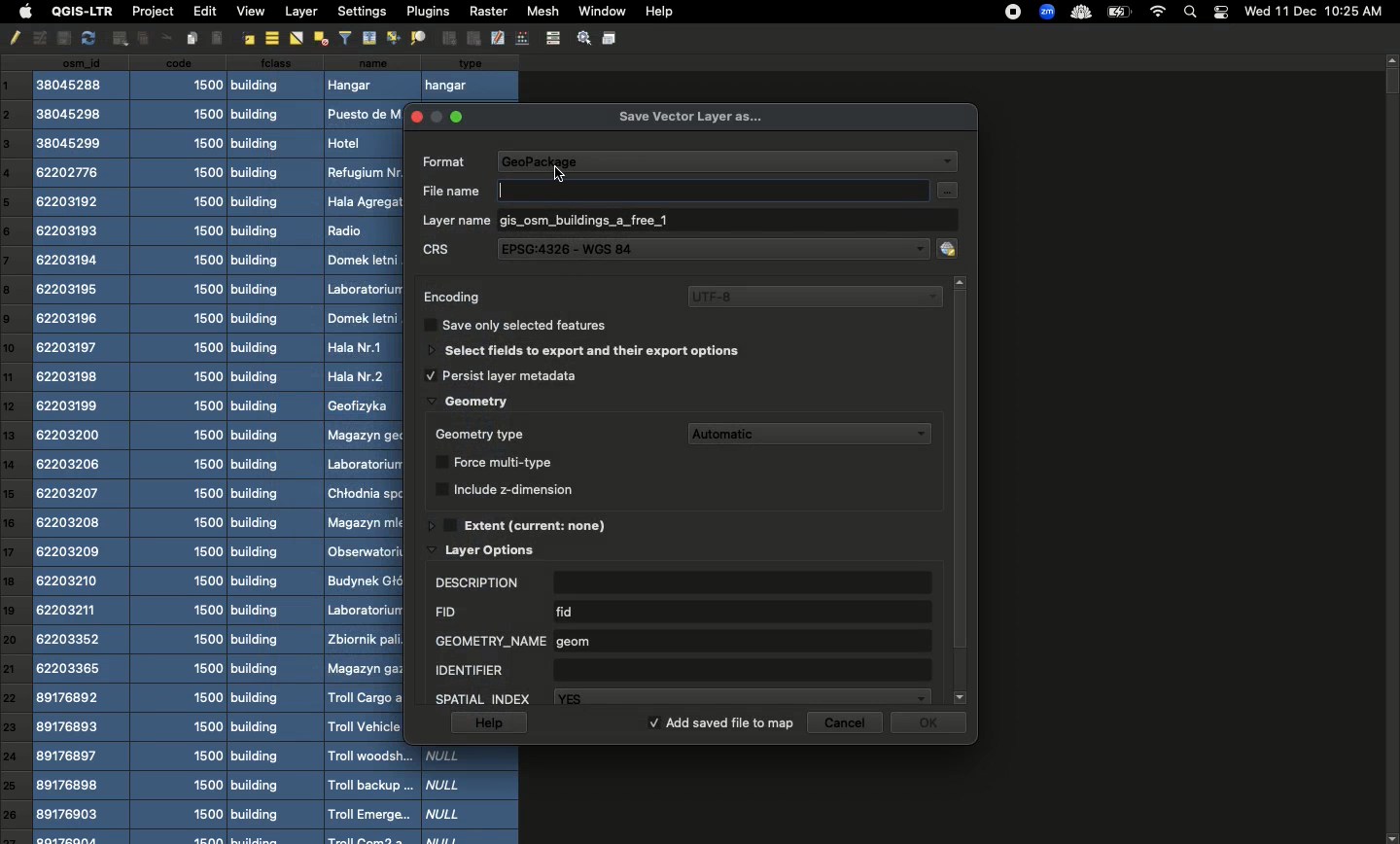  Describe the element at coordinates (932, 726) in the screenshot. I see `Ok` at that location.